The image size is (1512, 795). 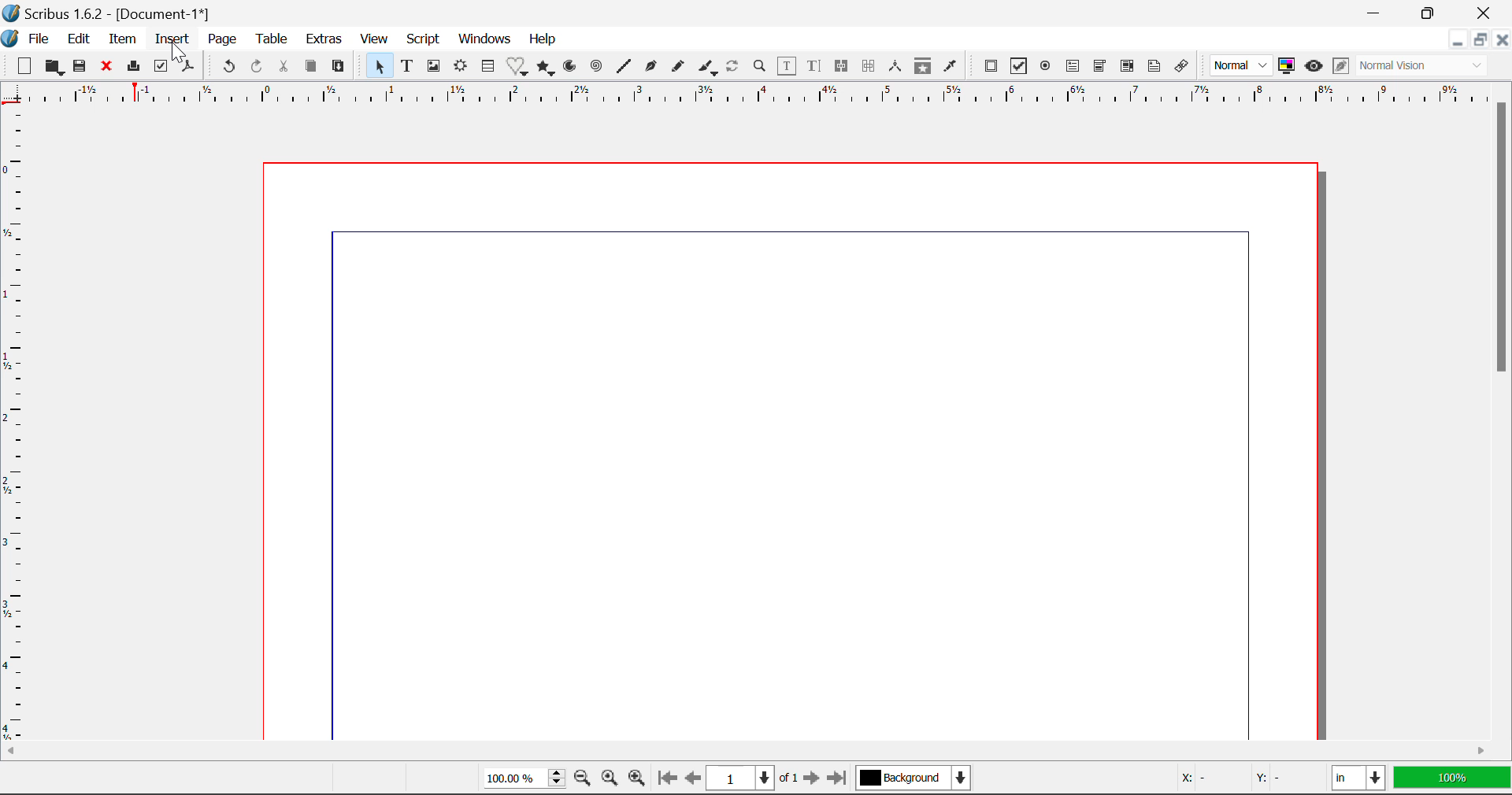 What do you see at coordinates (897, 67) in the screenshot?
I see `Measurements` at bounding box center [897, 67].